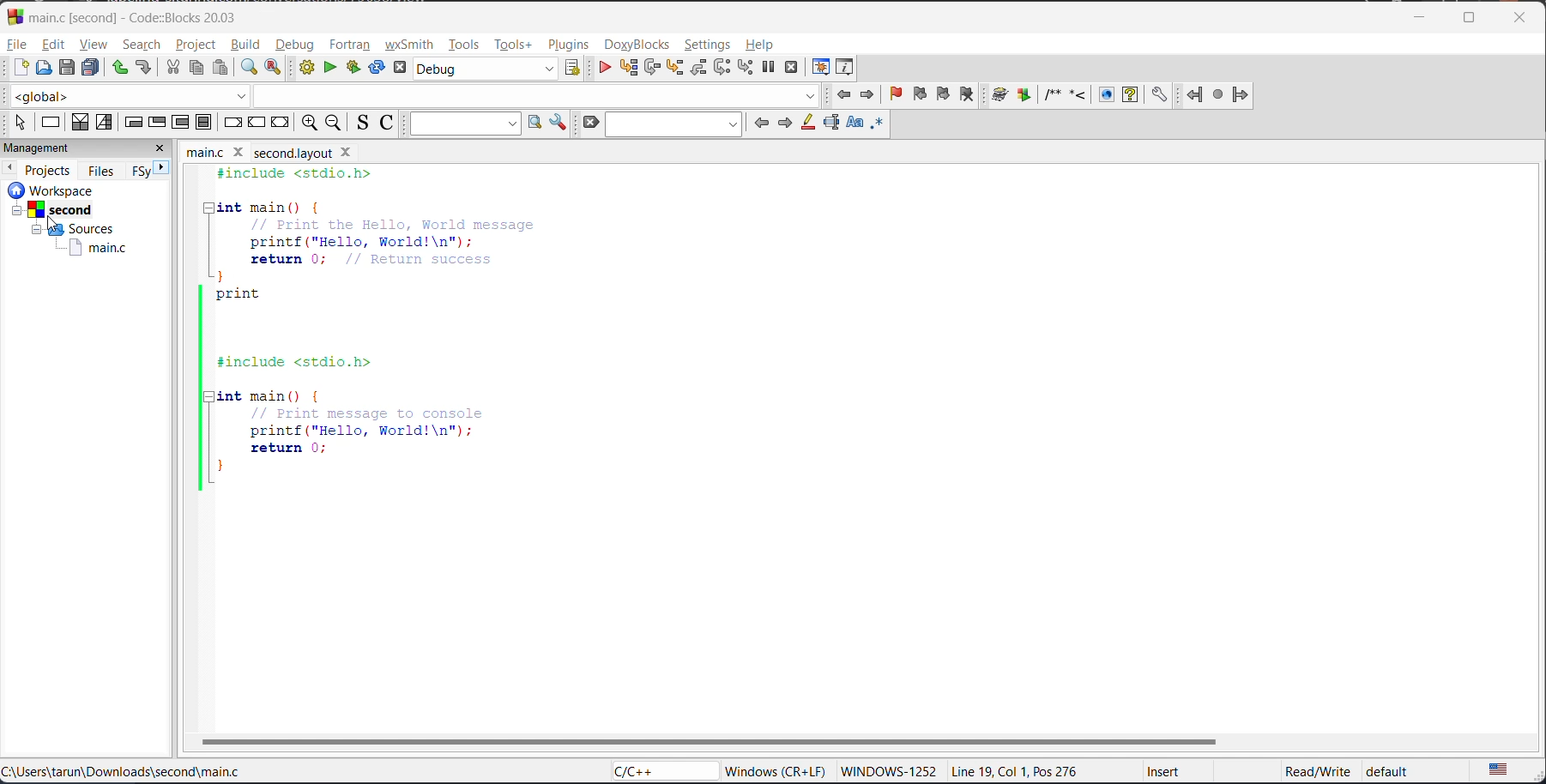 The height and width of the screenshot is (784, 1546). I want to click on selection, so click(105, 122).